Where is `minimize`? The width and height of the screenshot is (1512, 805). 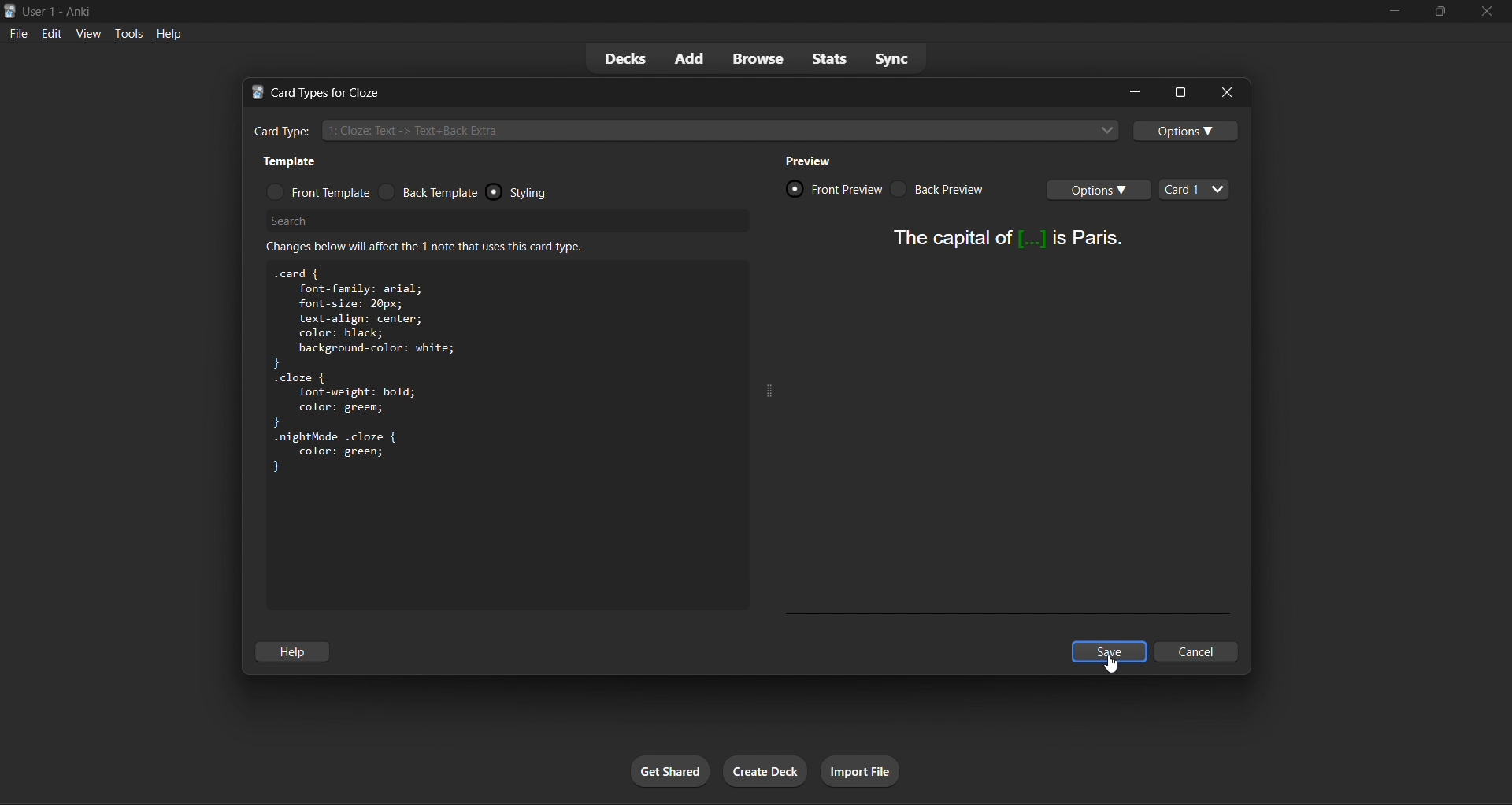 minimize is located at coordinates (1398, 12).